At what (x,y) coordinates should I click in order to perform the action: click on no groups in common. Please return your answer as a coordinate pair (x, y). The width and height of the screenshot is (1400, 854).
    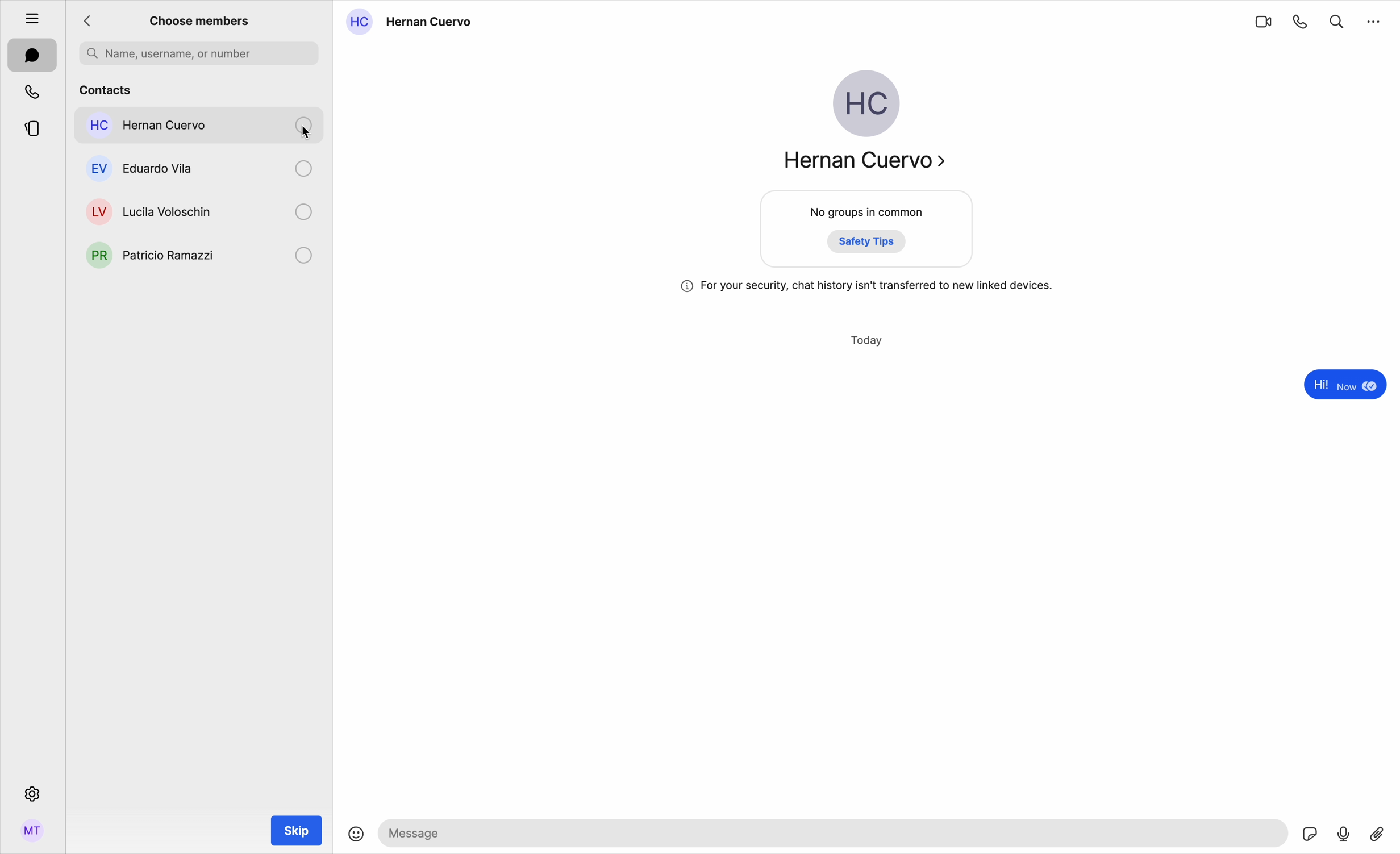
    Looking at the image, I should click on (868, 231).